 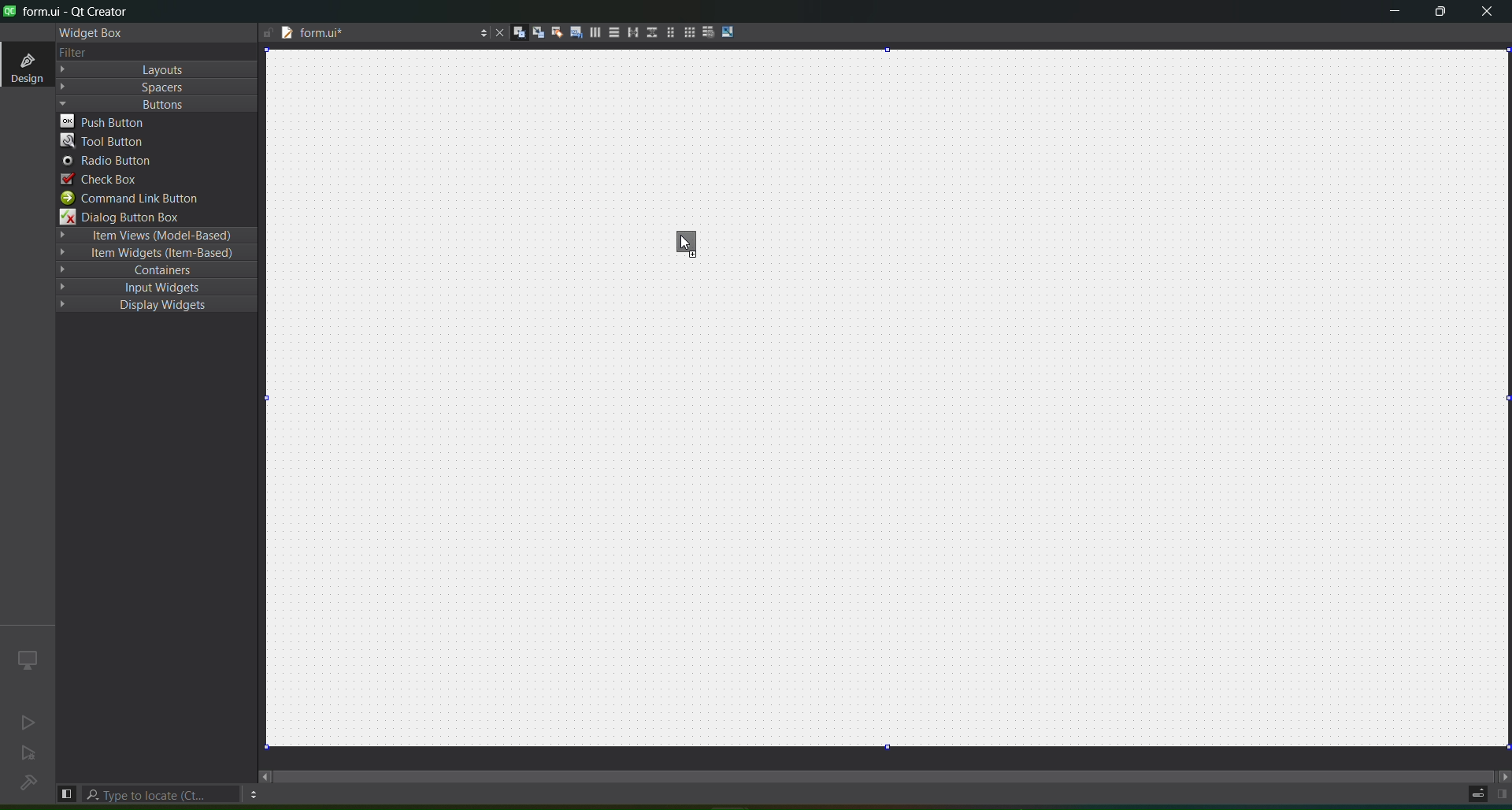 I want to click on hide left sidebar, so click(x=67, y=793).